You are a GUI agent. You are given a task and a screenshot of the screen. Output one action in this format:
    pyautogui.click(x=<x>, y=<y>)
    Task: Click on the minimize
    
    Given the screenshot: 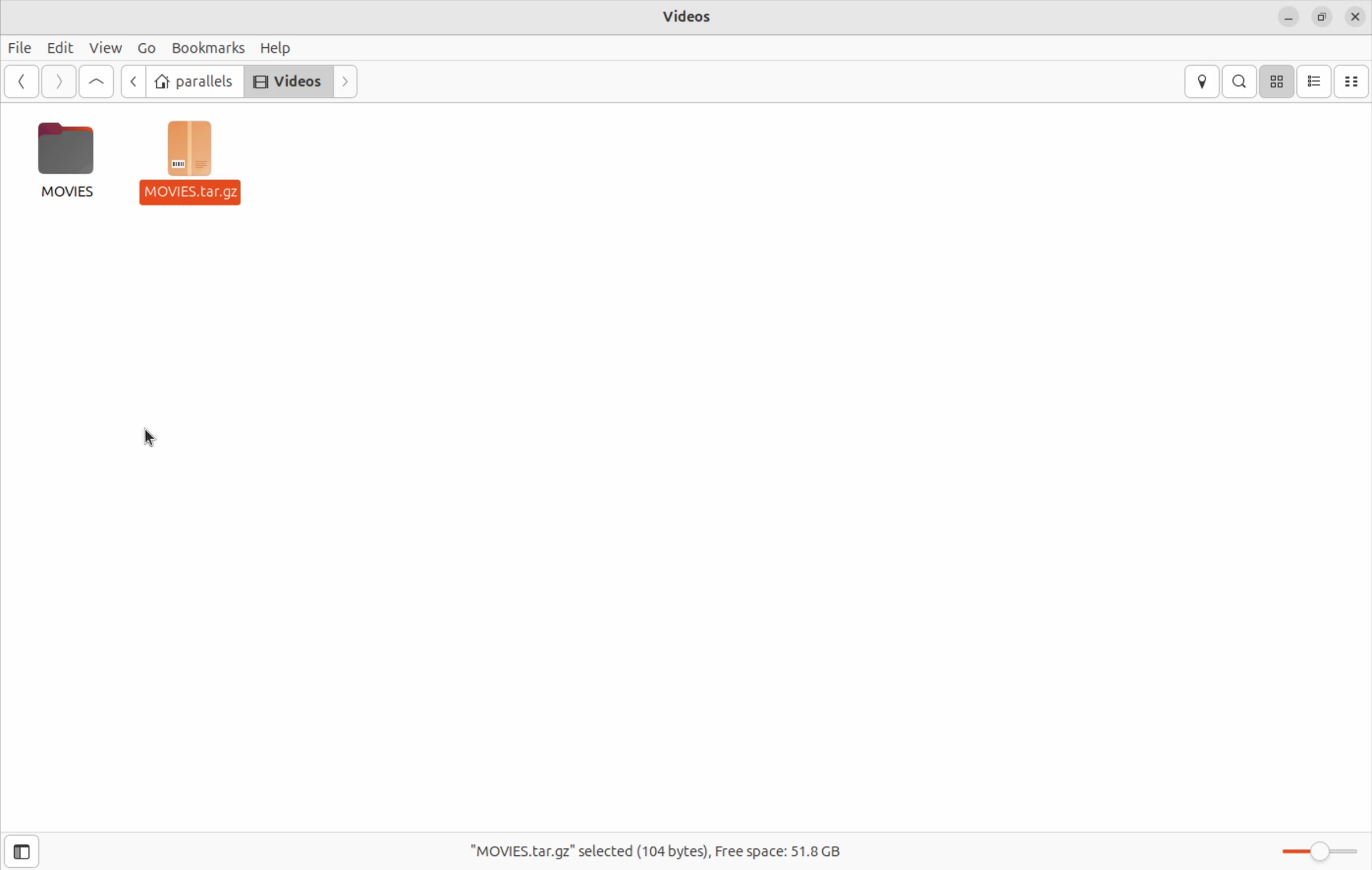 What is the action you would take?
    pyautogui.click(x=1288, y=19)
    